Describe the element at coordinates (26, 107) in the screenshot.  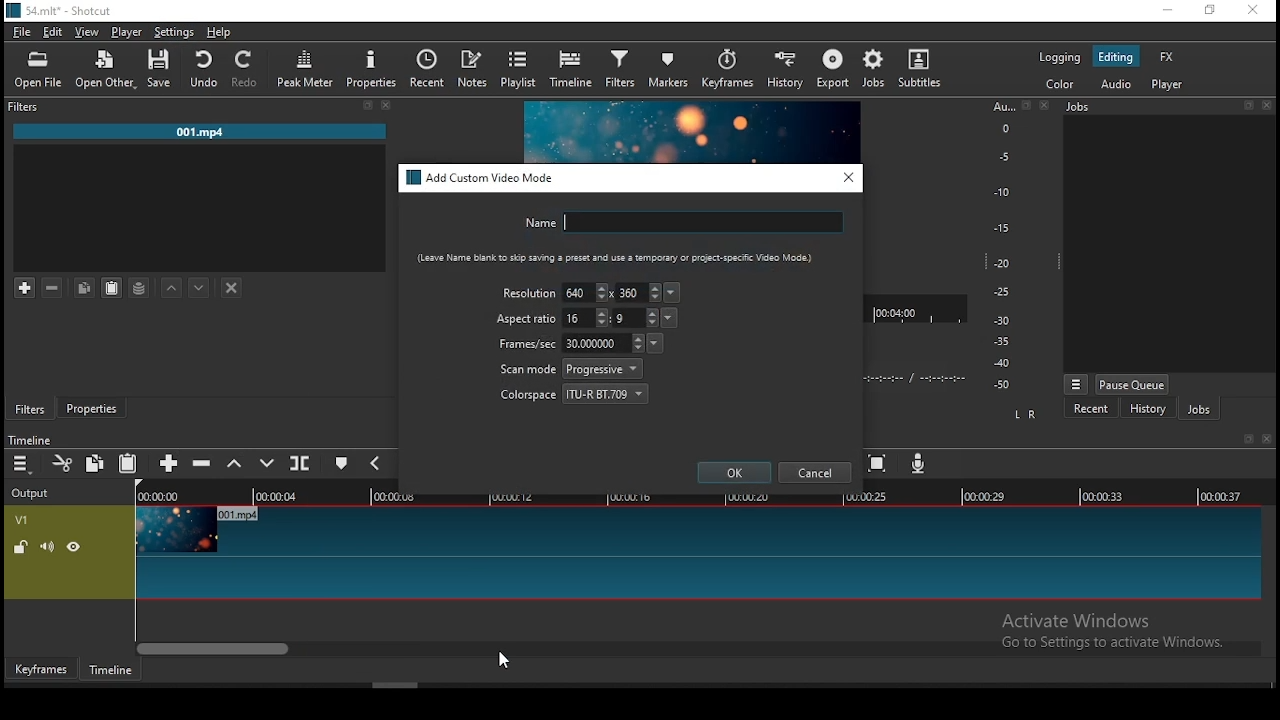
I see `Filter` at that location.